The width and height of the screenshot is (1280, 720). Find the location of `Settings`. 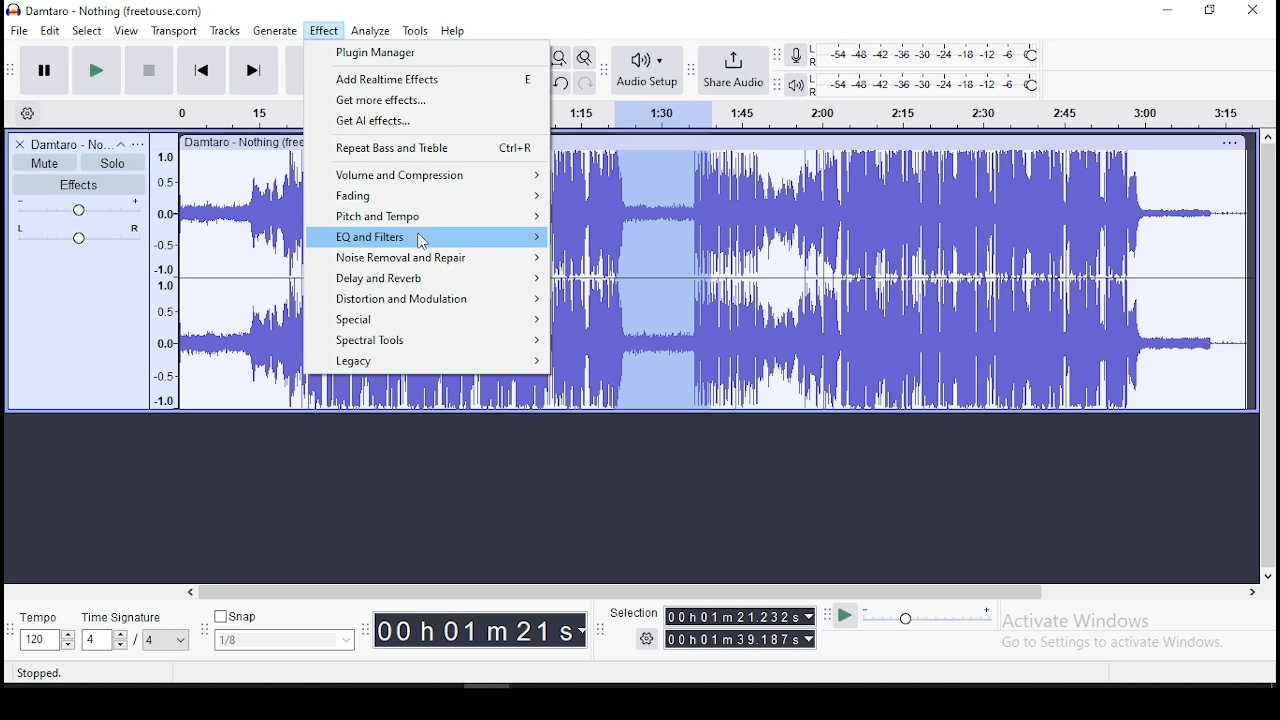

Settings is located at coordinates (648, 638).